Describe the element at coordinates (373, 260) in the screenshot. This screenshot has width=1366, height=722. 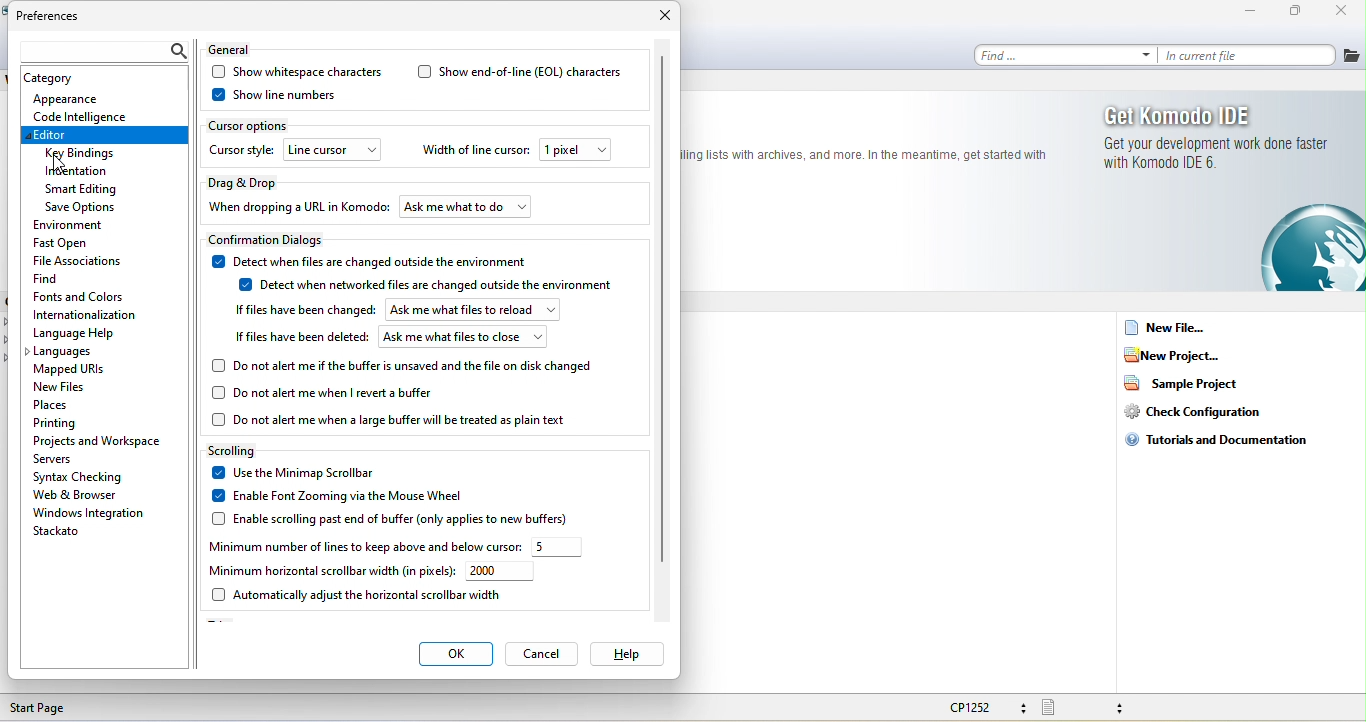
I see `detect when files are changed outside the environment` at that location.